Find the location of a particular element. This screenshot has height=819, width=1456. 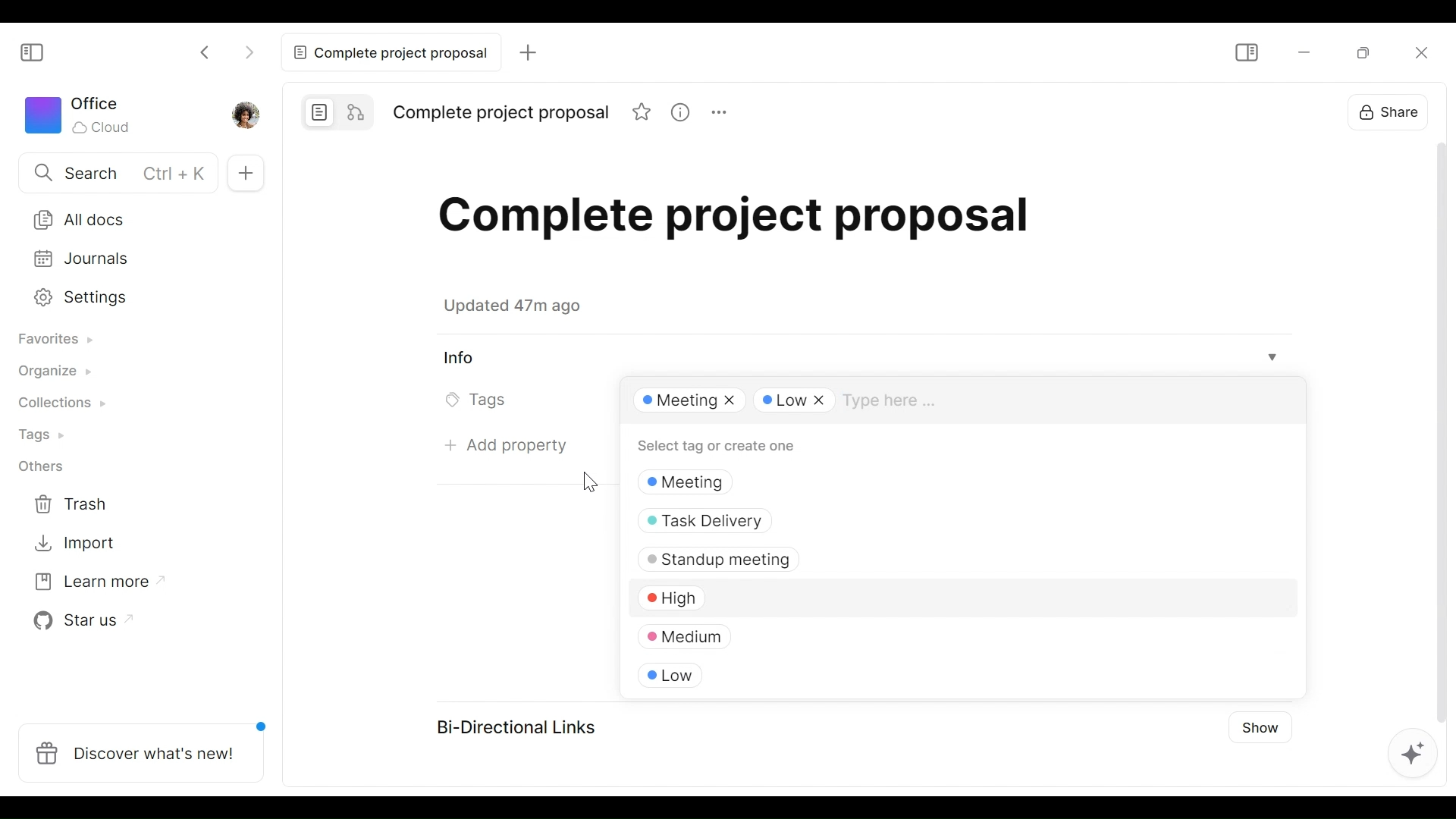

Show/Hide Sidebar is located at coordinates (39, 53).